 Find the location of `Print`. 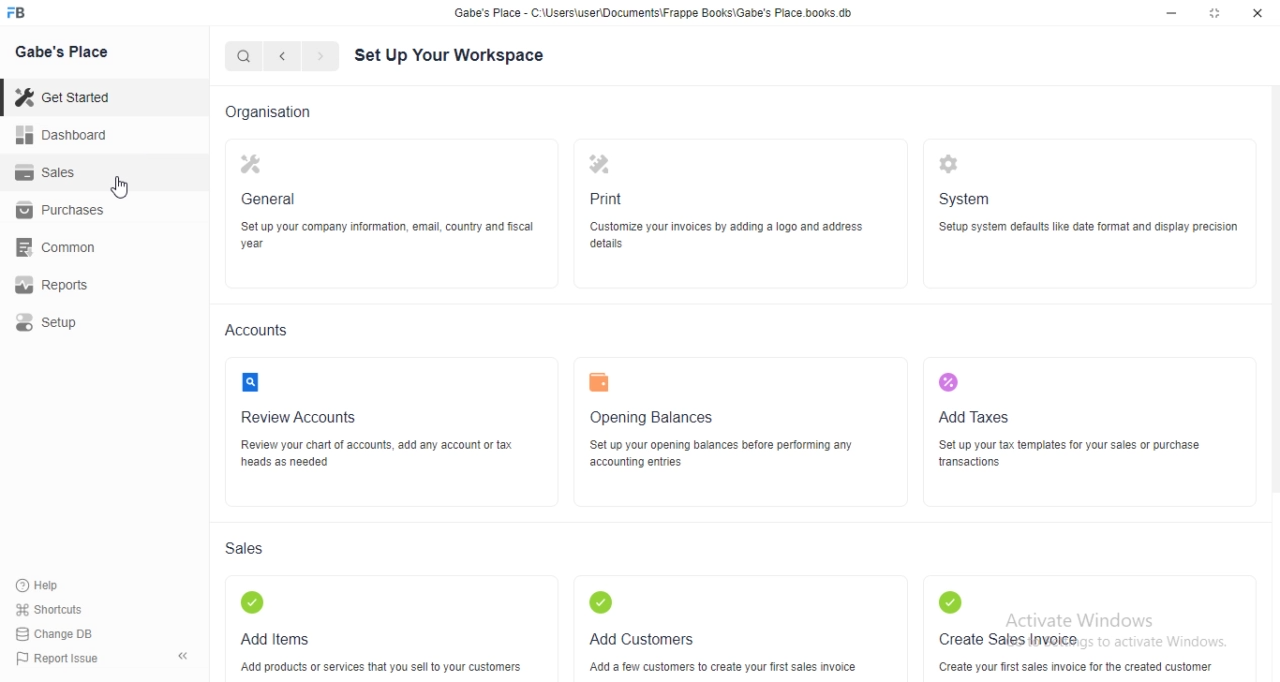

Print is located at coordinates (622, 175).